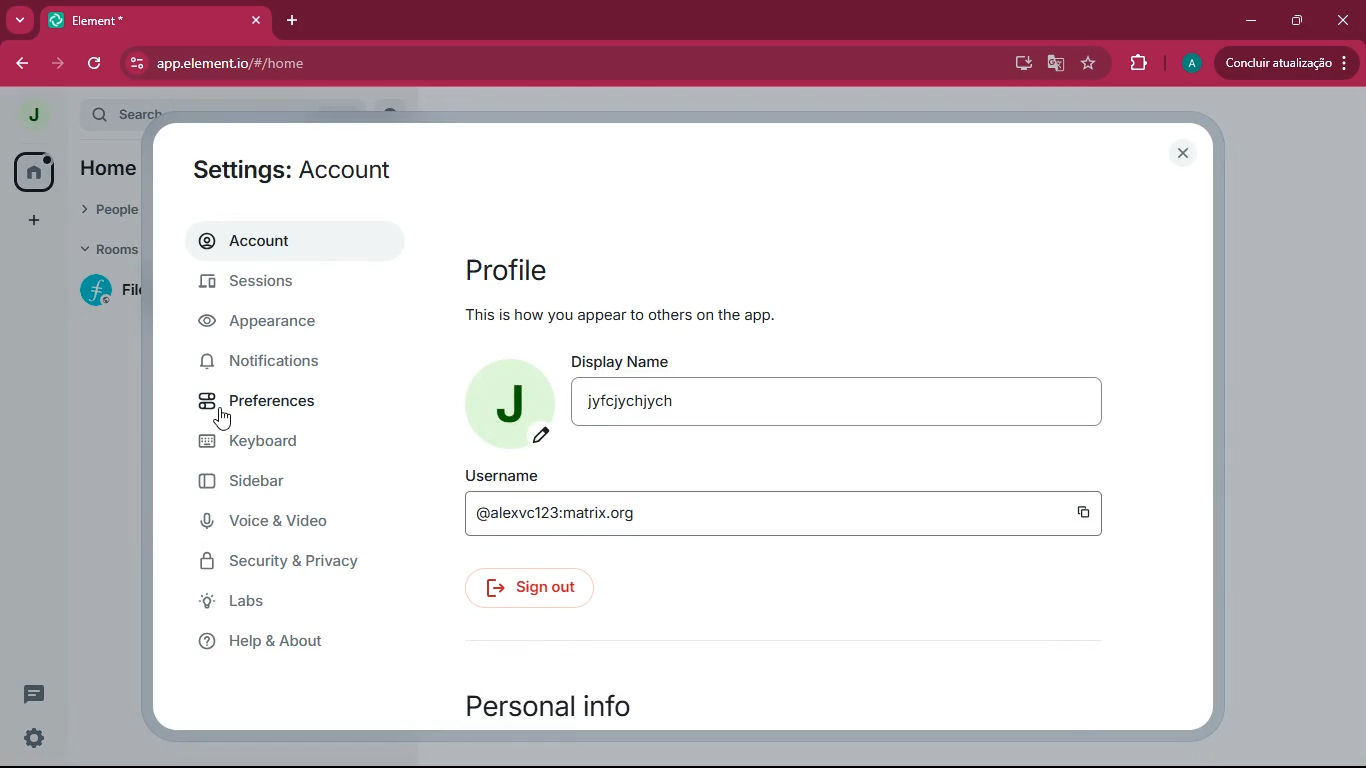  Describe the element at coordinates (130, 111) in the screenshot. I see `search` at that location.